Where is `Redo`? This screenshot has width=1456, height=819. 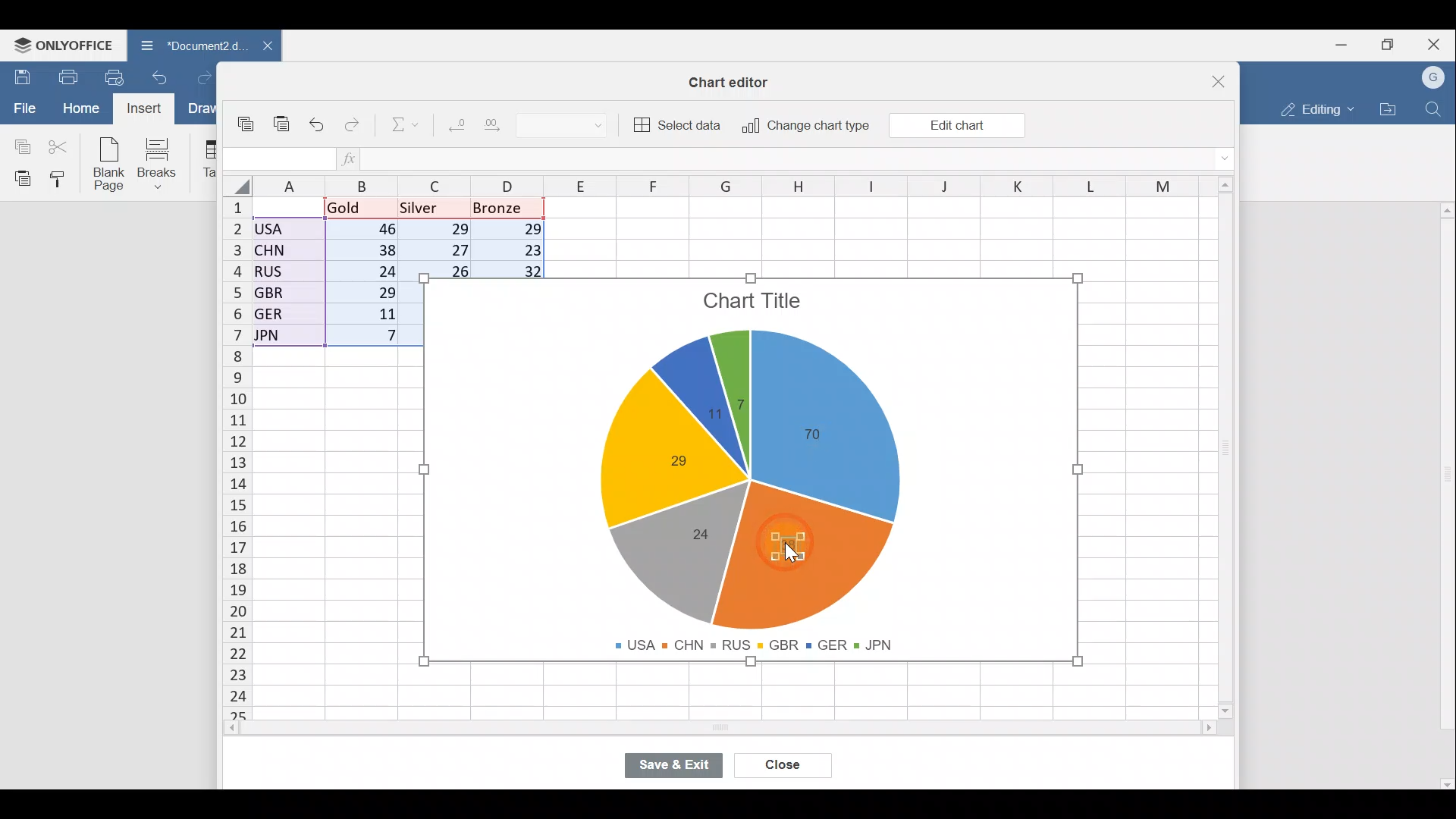 Redo is located at coordinates (353, 128).